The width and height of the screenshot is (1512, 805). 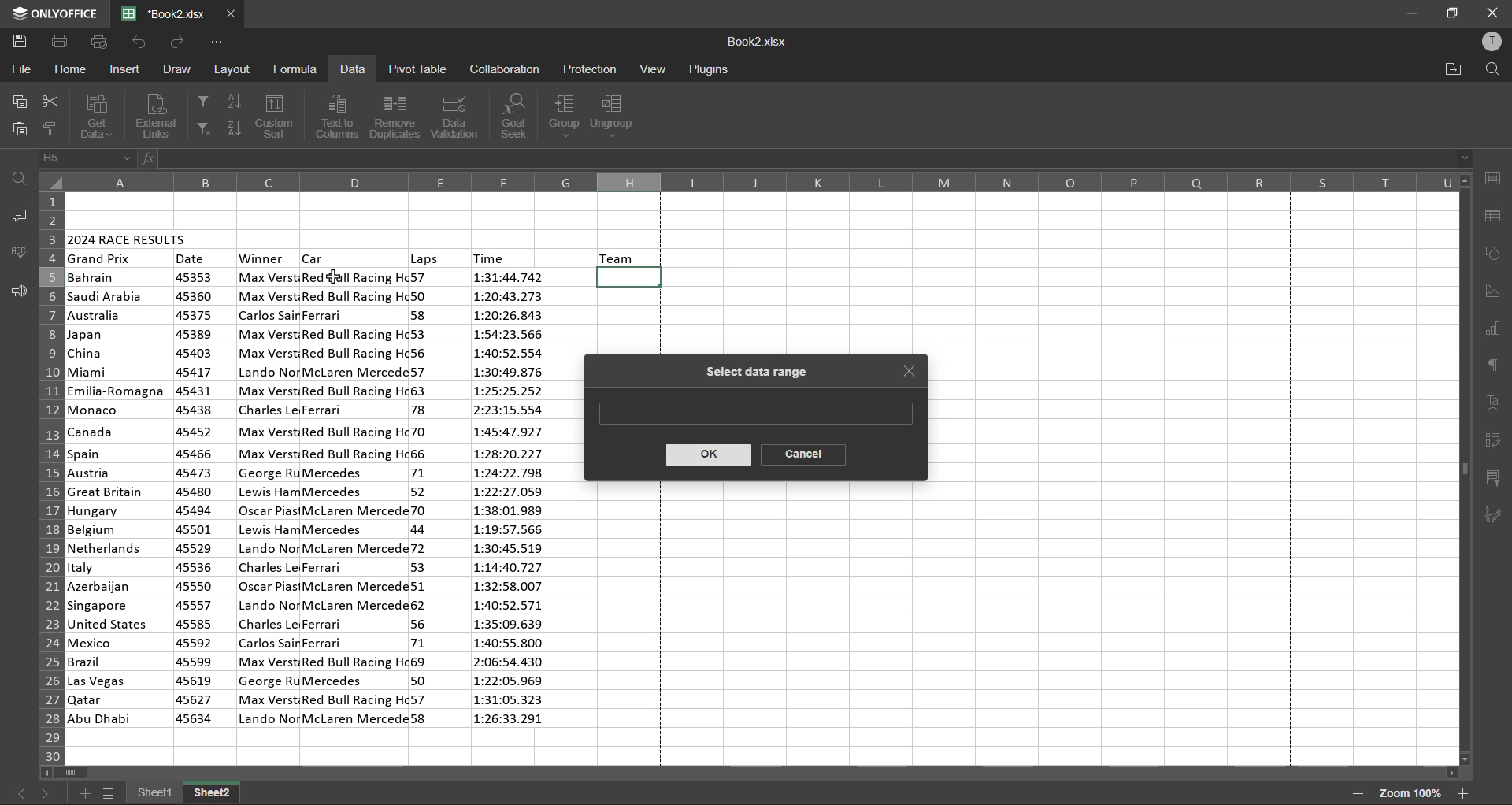 I want to click on customize quick access toolbar, so click(x=215, y=43).